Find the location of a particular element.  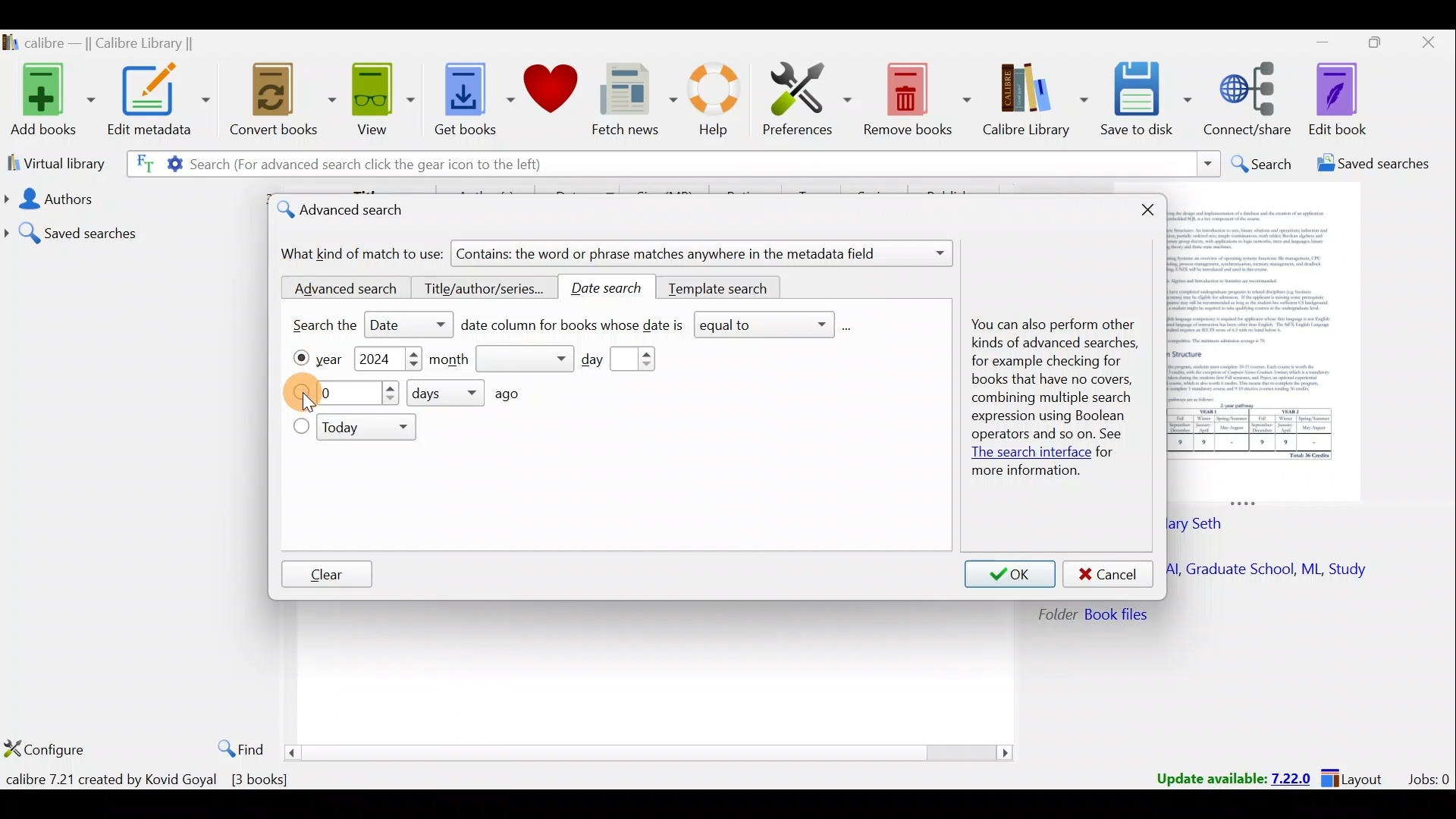

What day? is located at coordinates (300, 392).